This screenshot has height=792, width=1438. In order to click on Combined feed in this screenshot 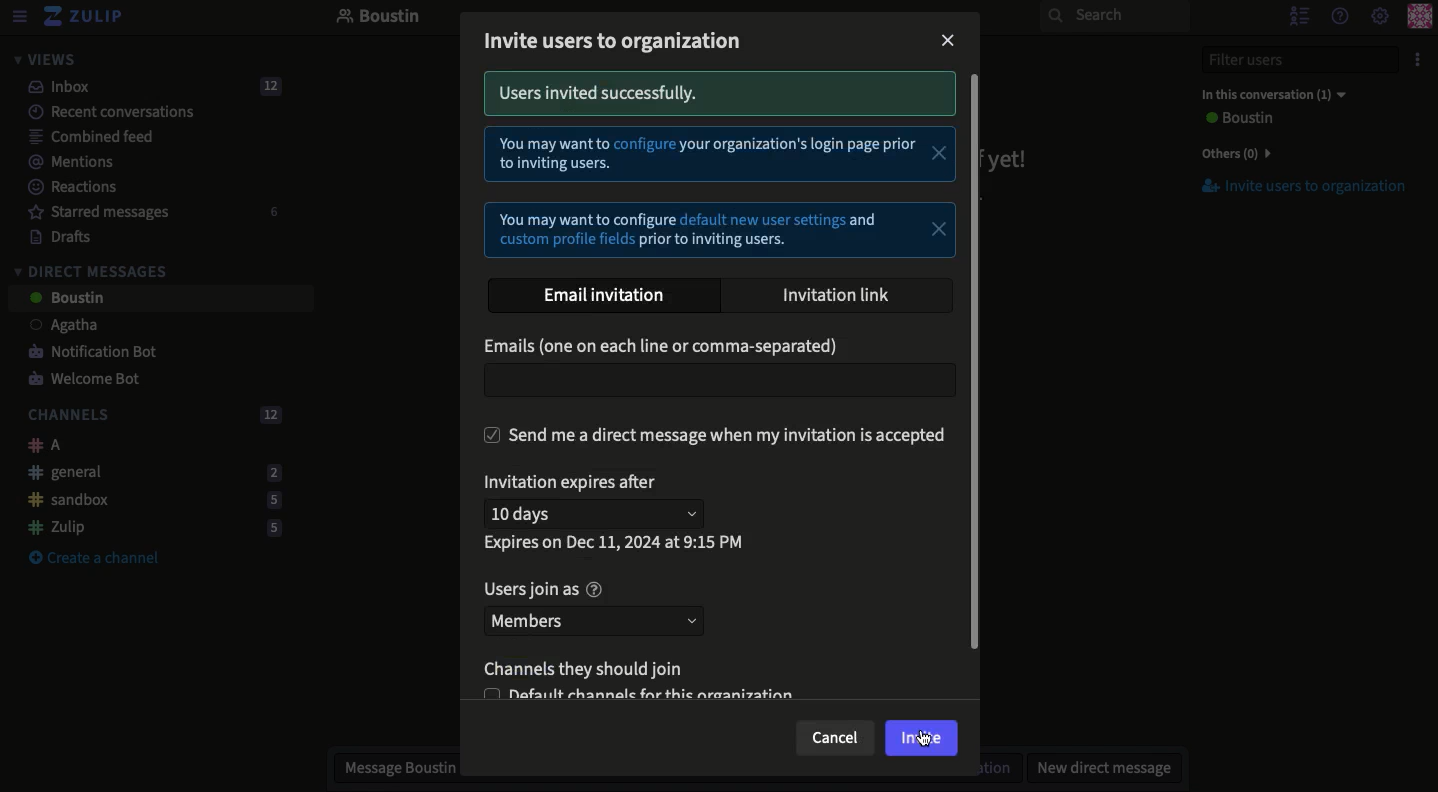, I will do `click(80, 136)`.